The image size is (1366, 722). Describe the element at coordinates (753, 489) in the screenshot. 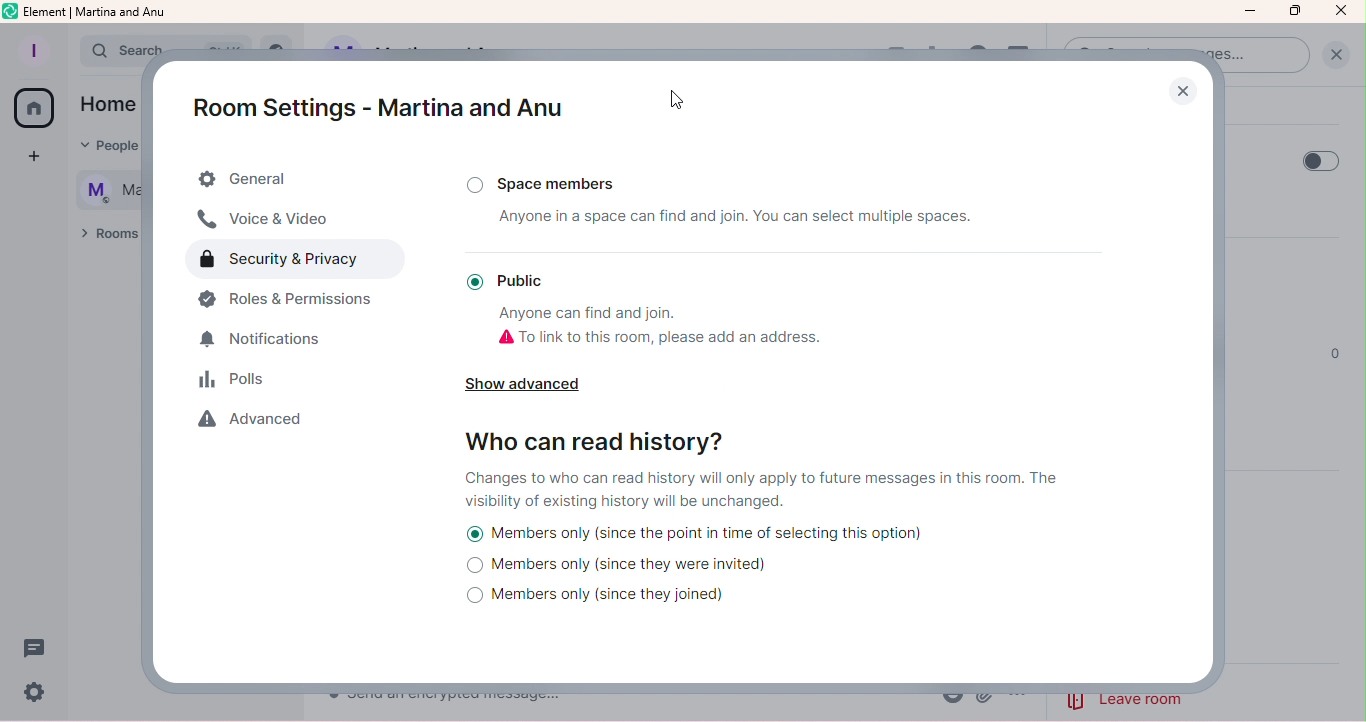

I see `Changes to who can read history will only apply to future messages in this room. The visibility of existing history will be unchanged.` at that location.